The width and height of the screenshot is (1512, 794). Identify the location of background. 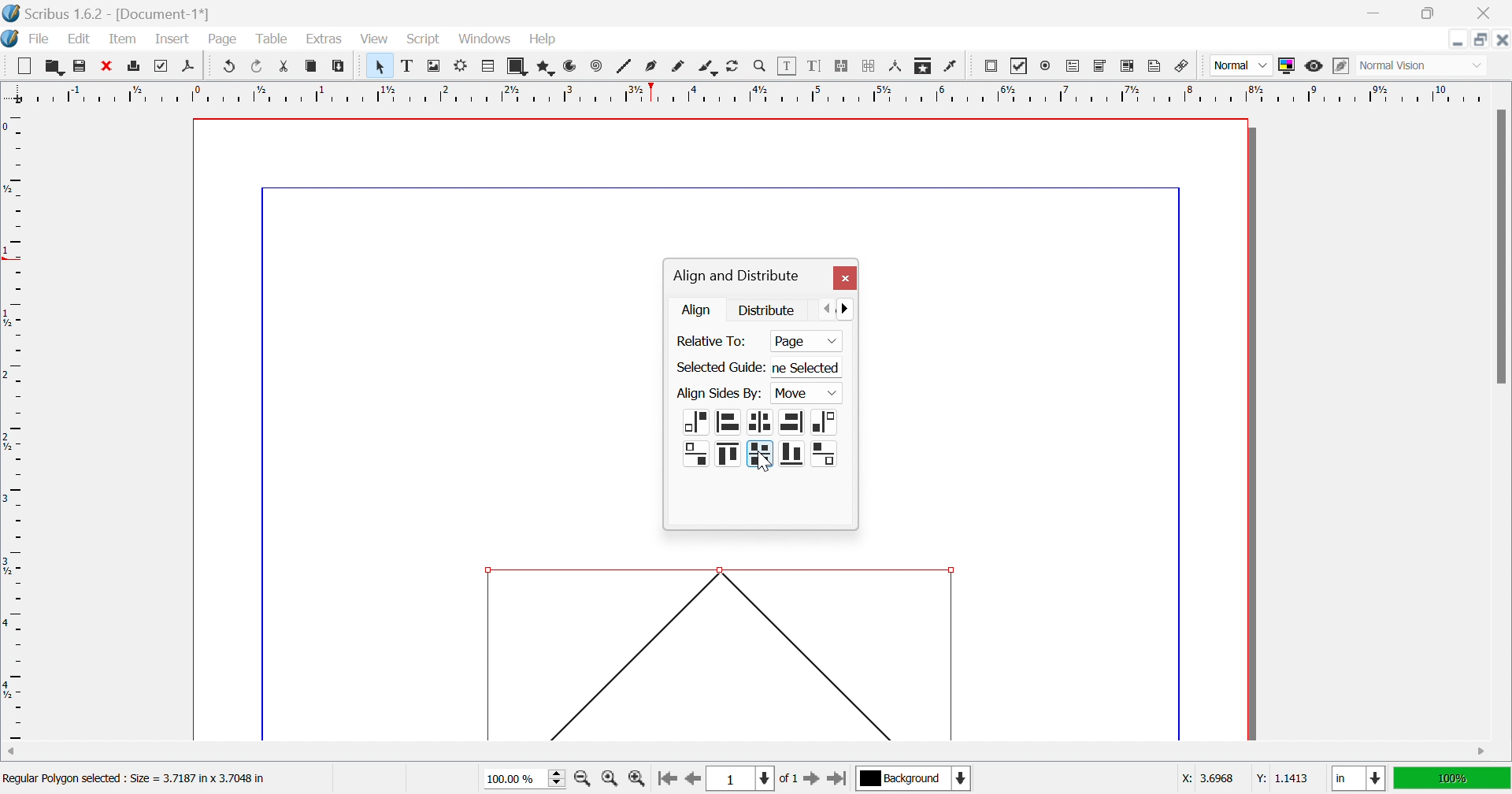
(915, 777).